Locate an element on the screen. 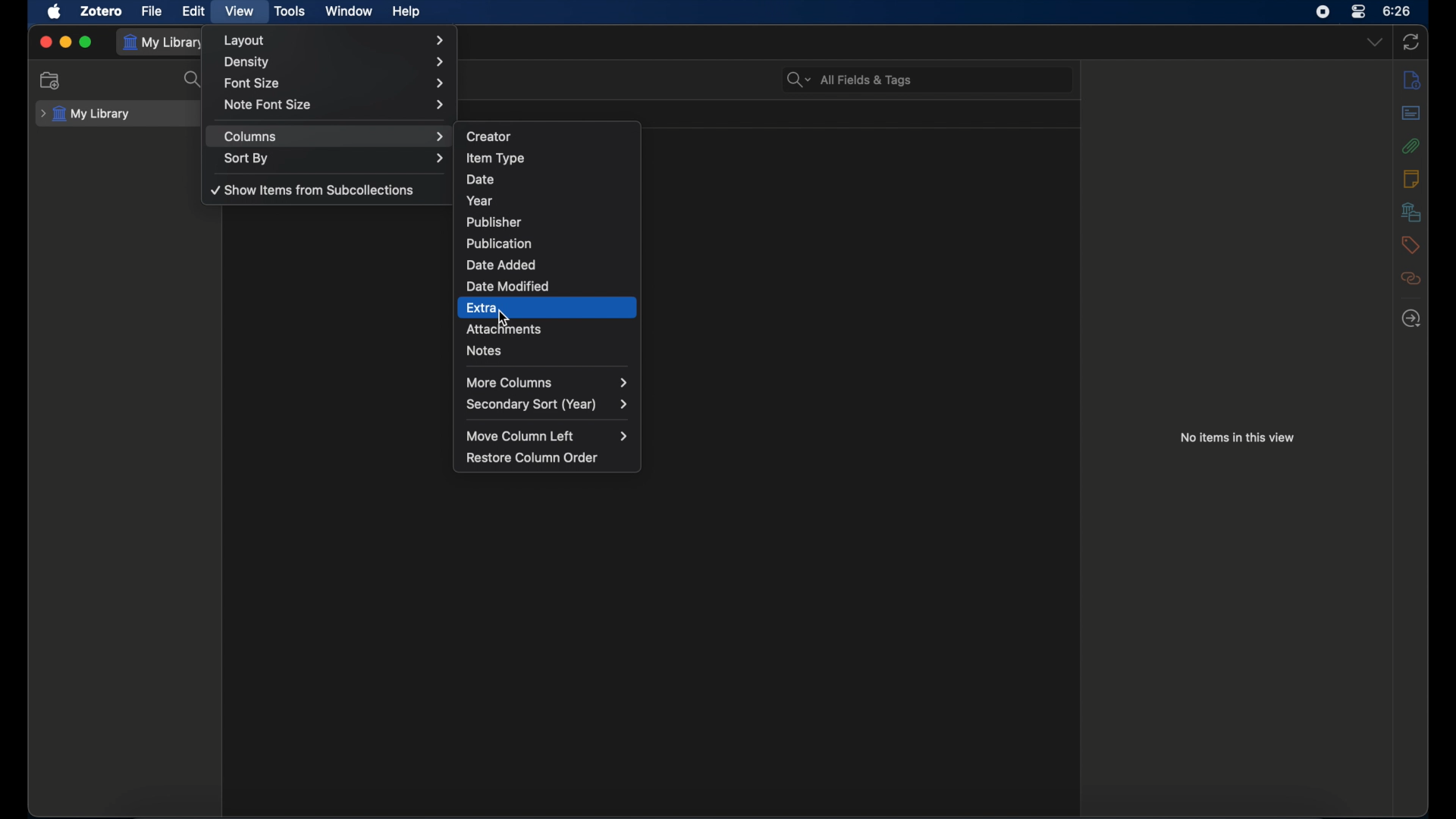 The image size is (1456, 819). locate is located at coordinates (1411, 318).